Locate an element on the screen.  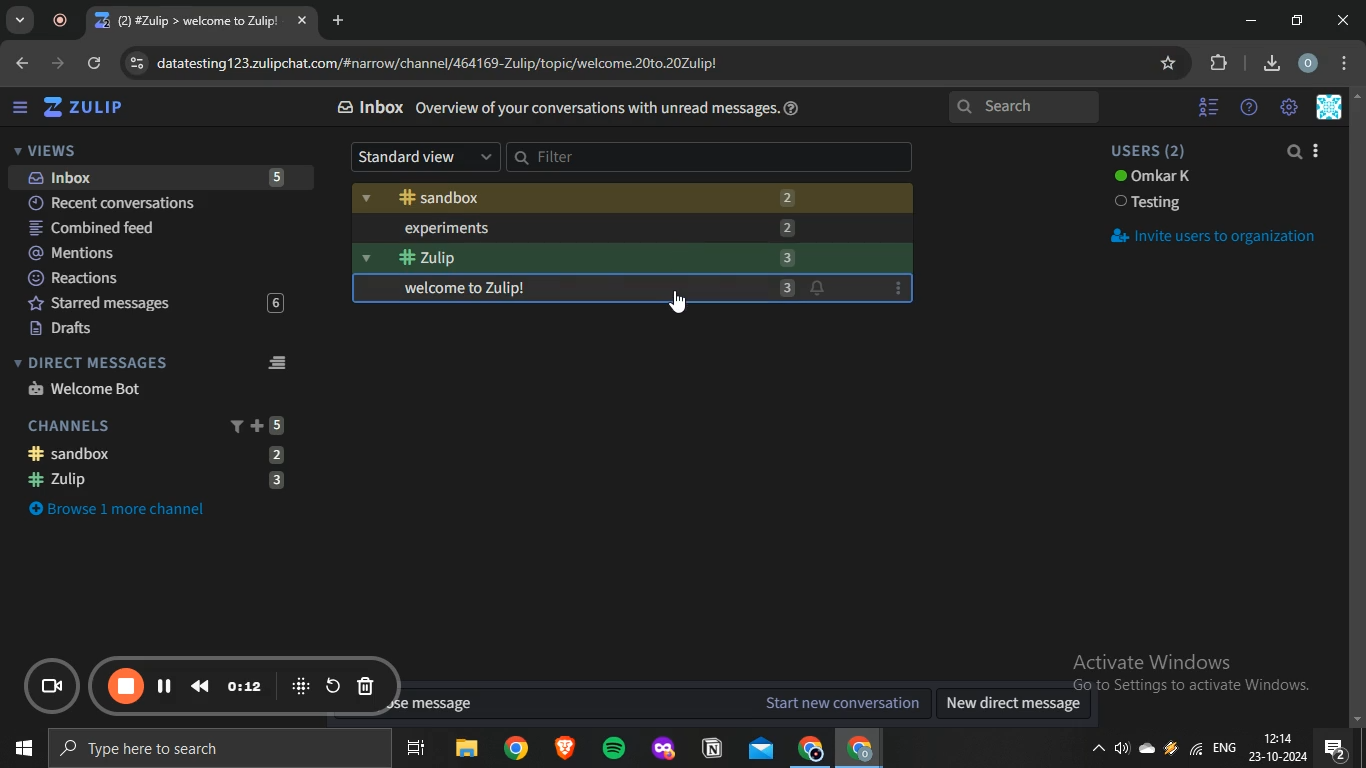
sidebar is located at coordinates (20, 108).